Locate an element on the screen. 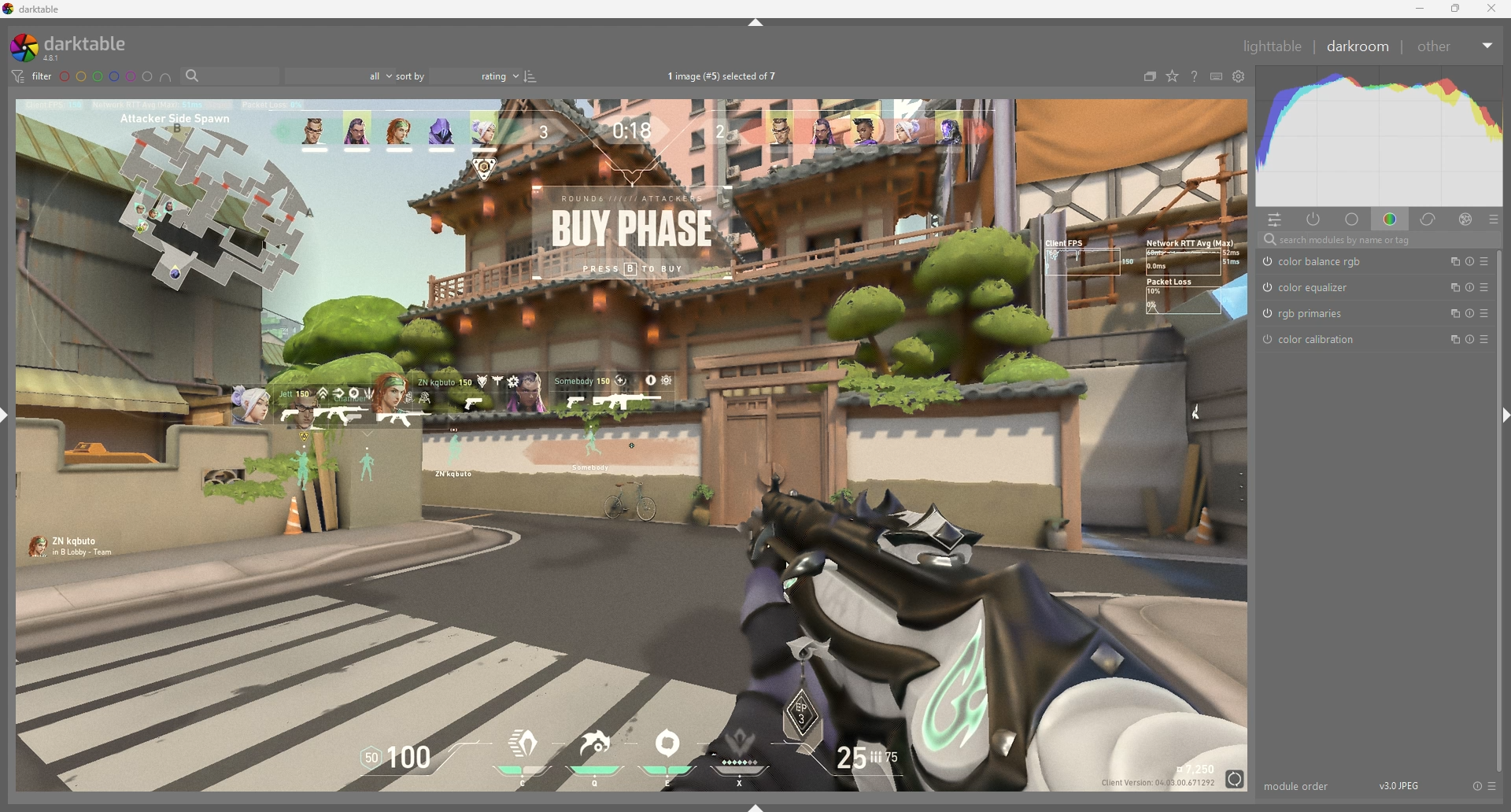 The image size is (1511, 812). reset is located at coordinates (1469, 287).